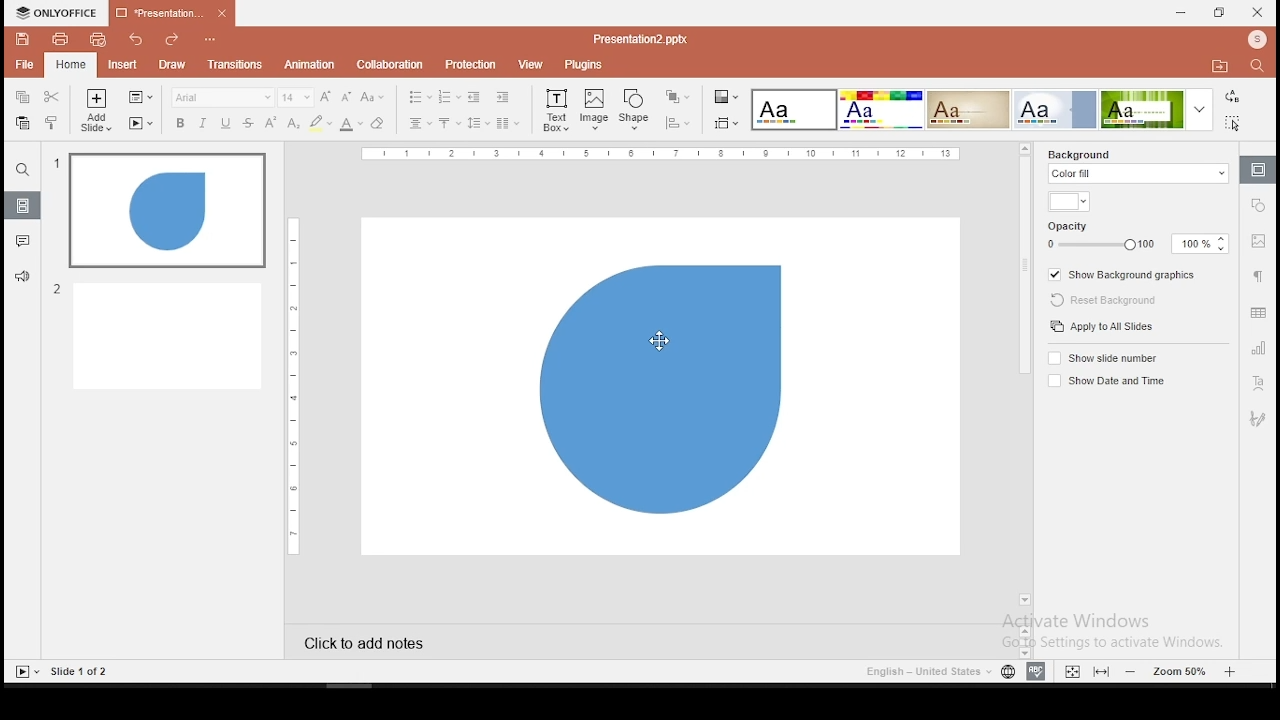  Describe the element at coordinates (179, 122) in the screenshot. I see `bold` at that location.